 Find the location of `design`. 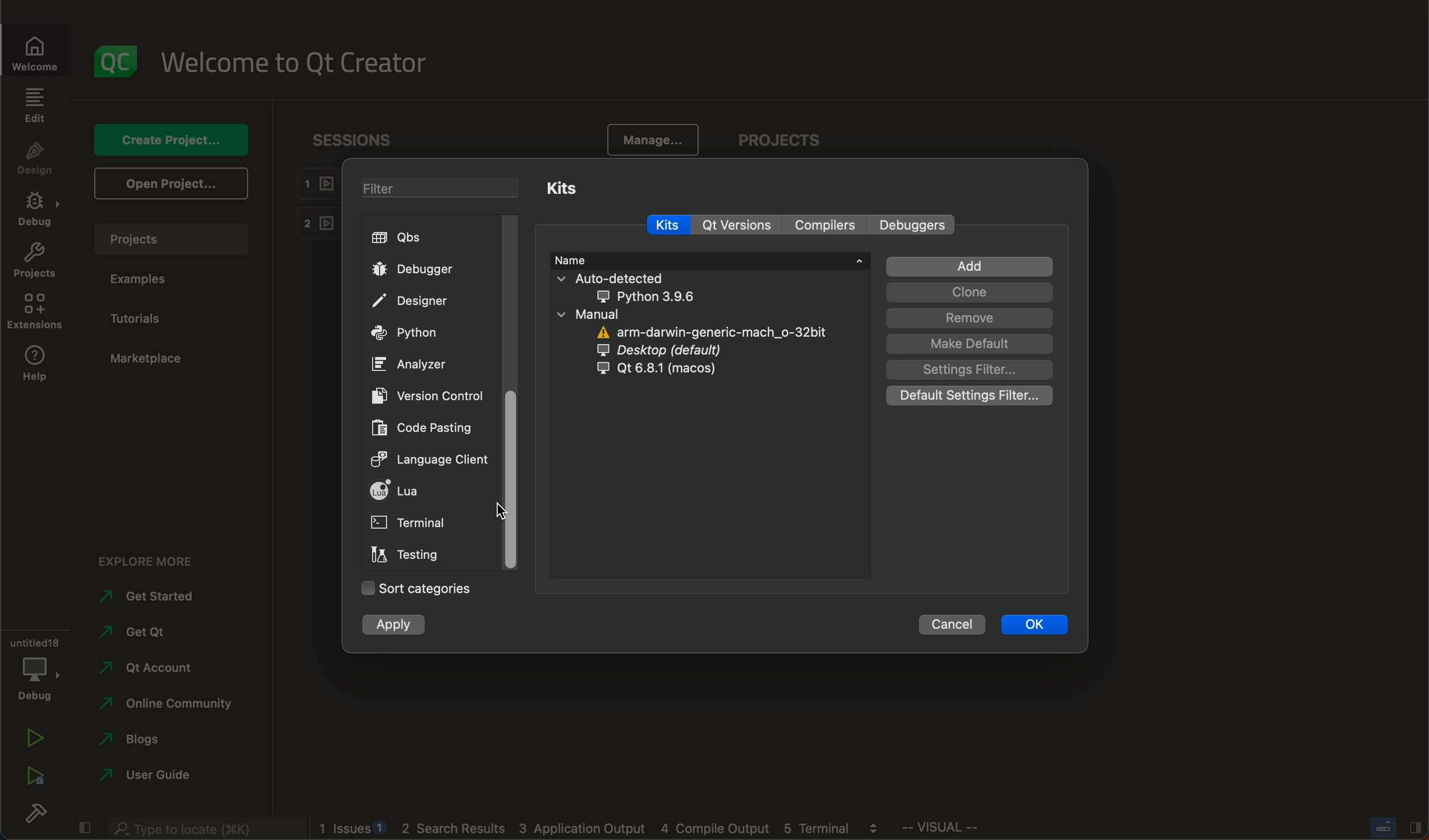

design is located at coordinates (38, 158).